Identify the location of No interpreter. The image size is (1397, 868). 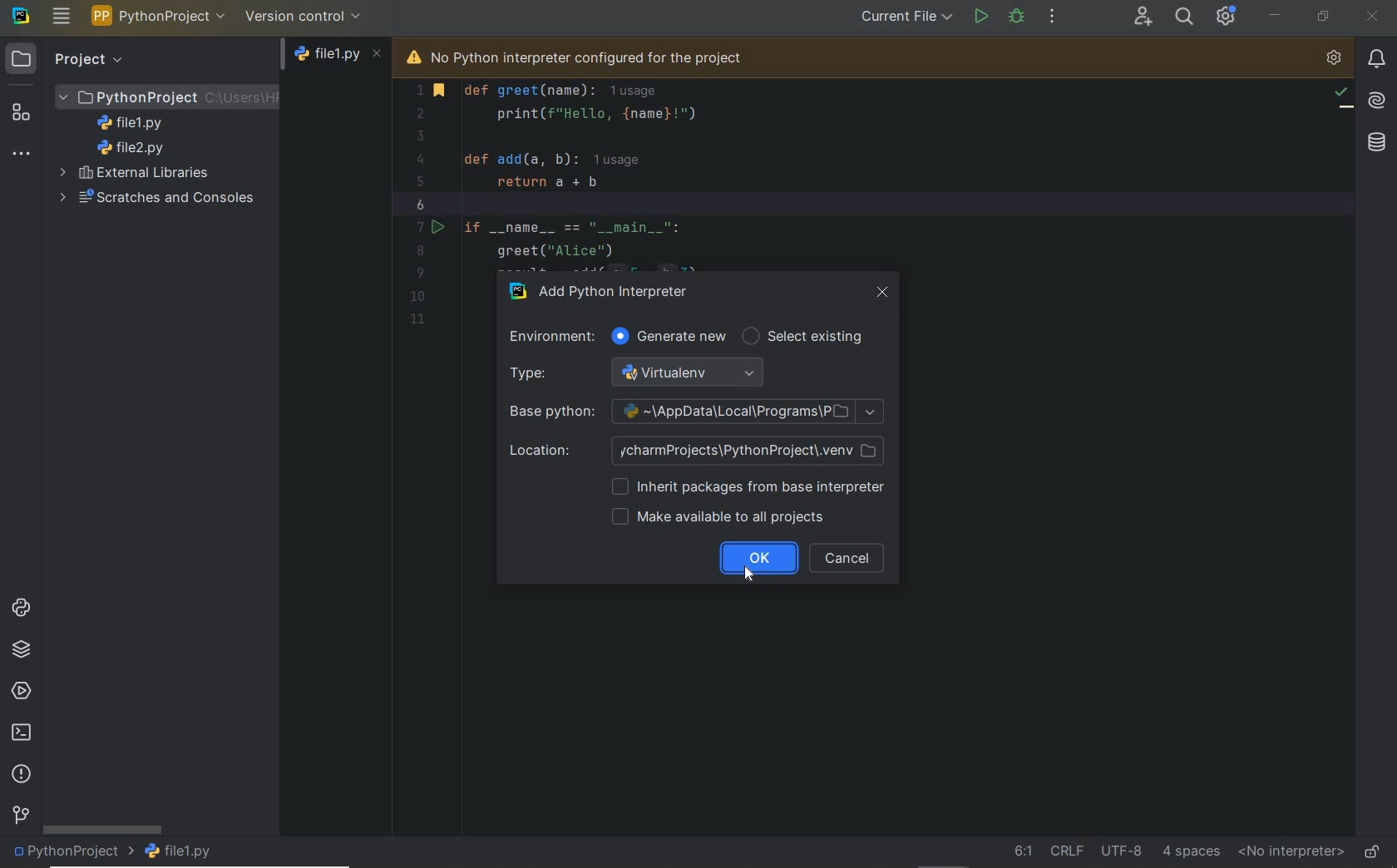
(1287, 852).